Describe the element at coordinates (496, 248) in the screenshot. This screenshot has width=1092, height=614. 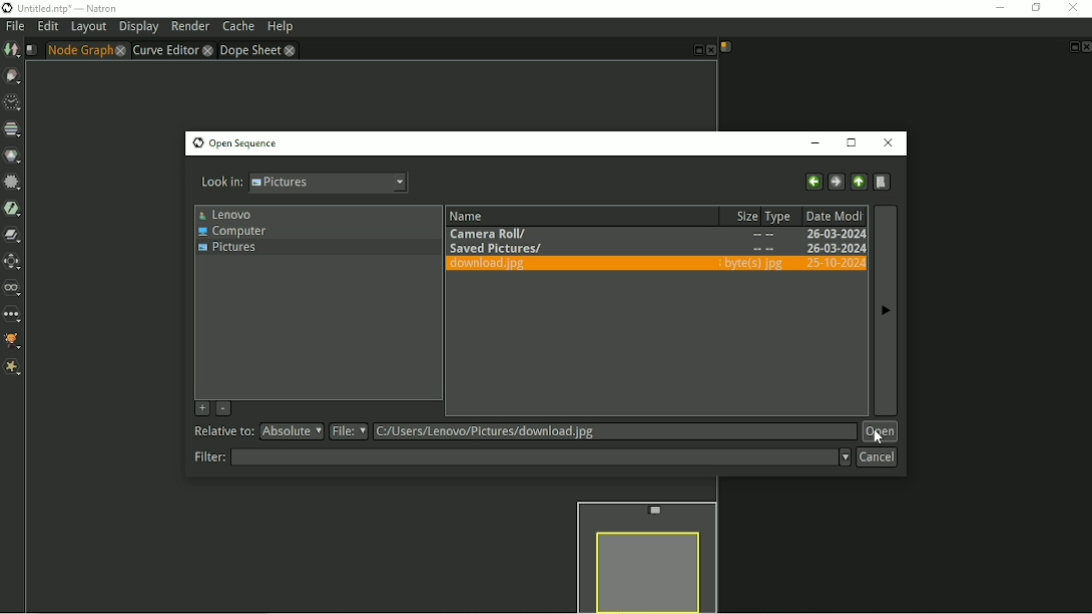
I see `Saved Pictures/` at that location.